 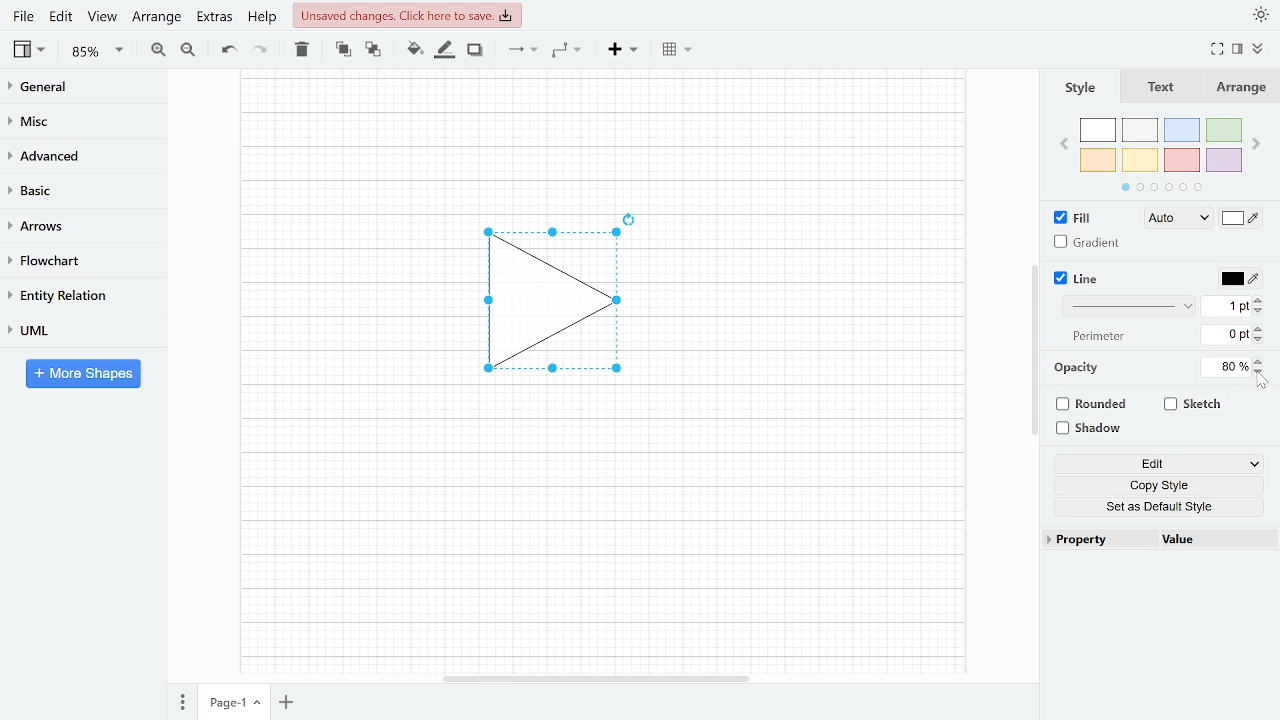 What do you see at coordinates (1260, 341) in the screenshot?
I see `Decrease perimeter` at bounding box center [1260, 341].